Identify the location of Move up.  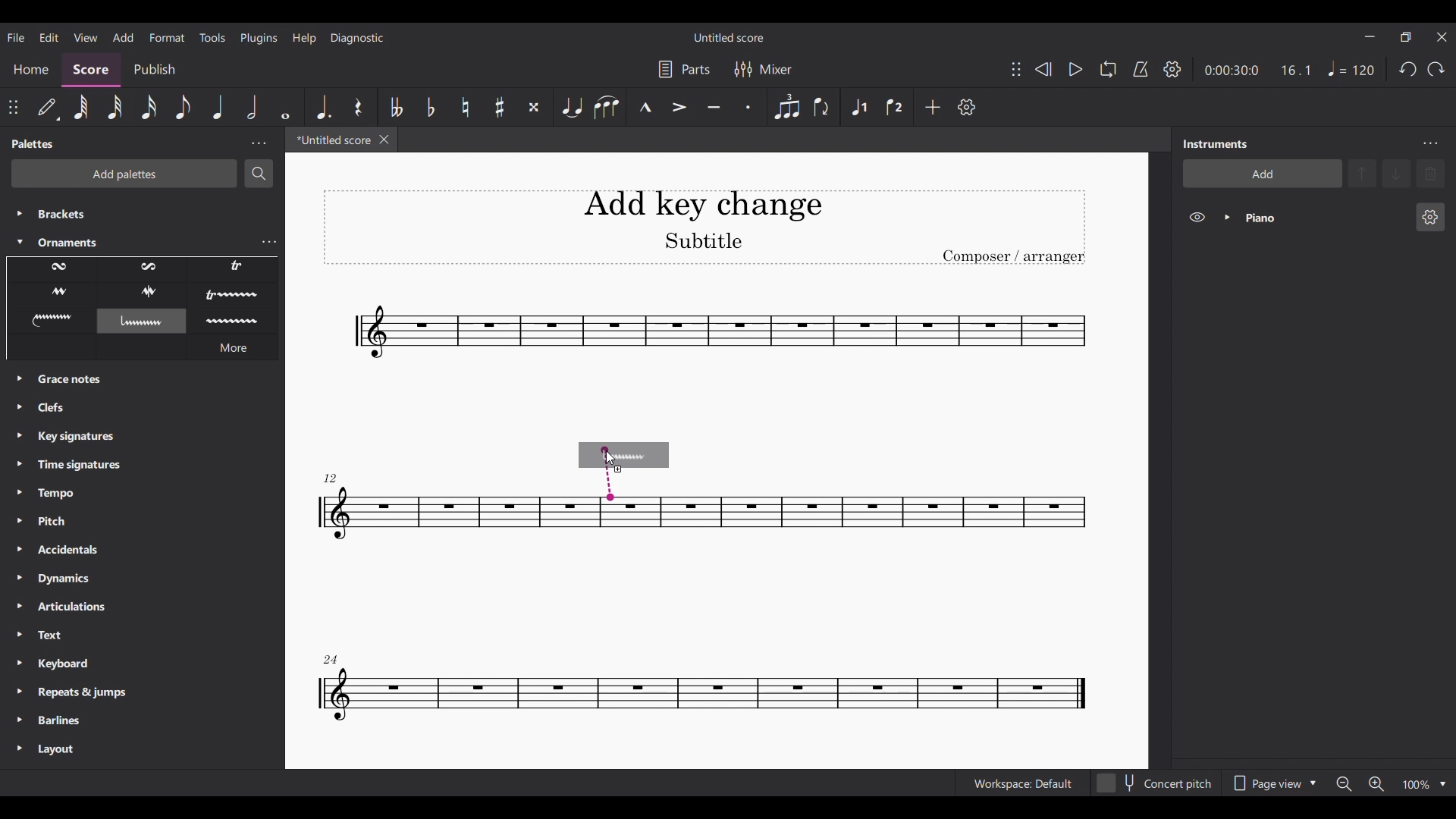
(1362, 174).